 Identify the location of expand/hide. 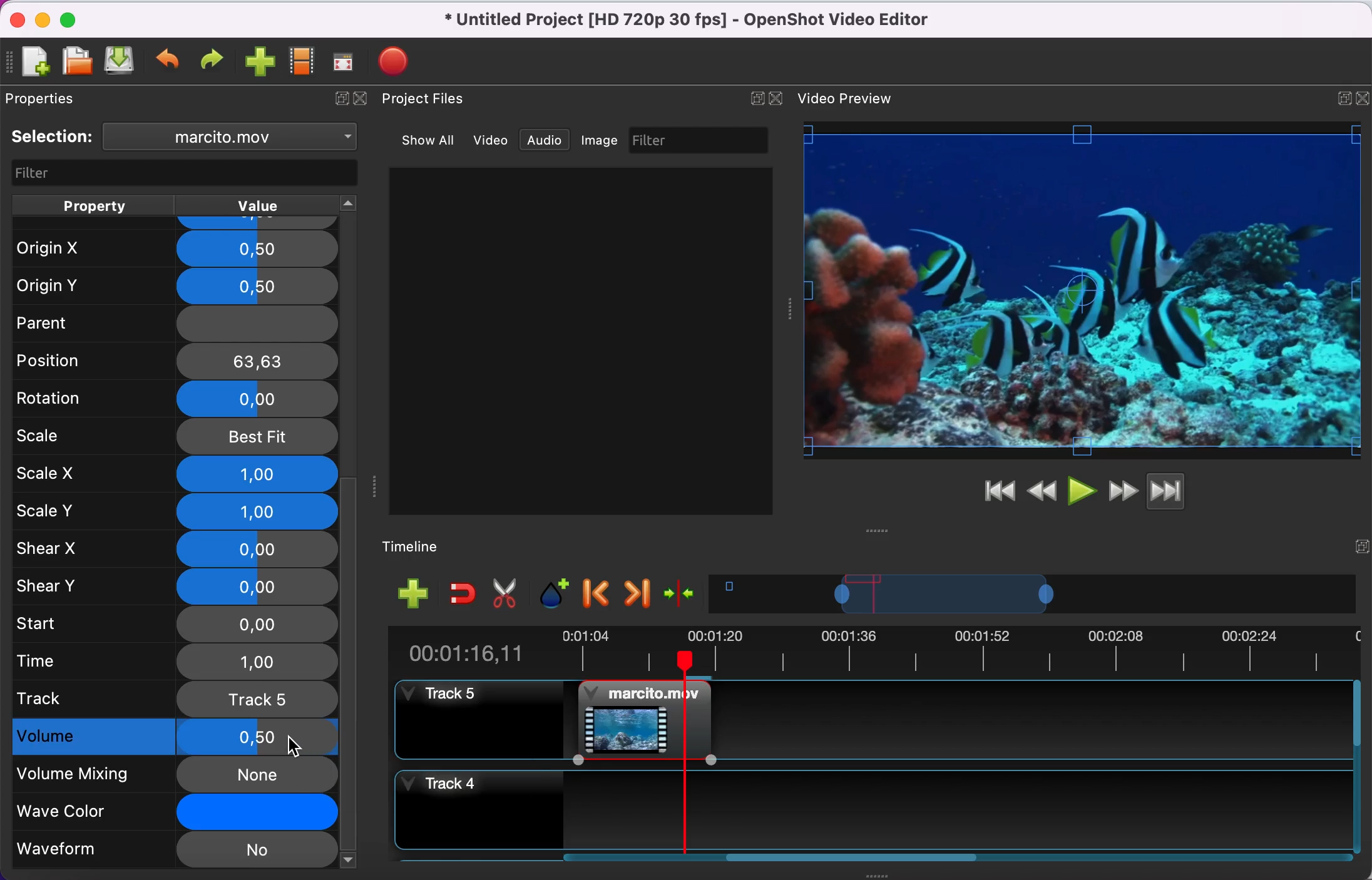
(1360, 543).